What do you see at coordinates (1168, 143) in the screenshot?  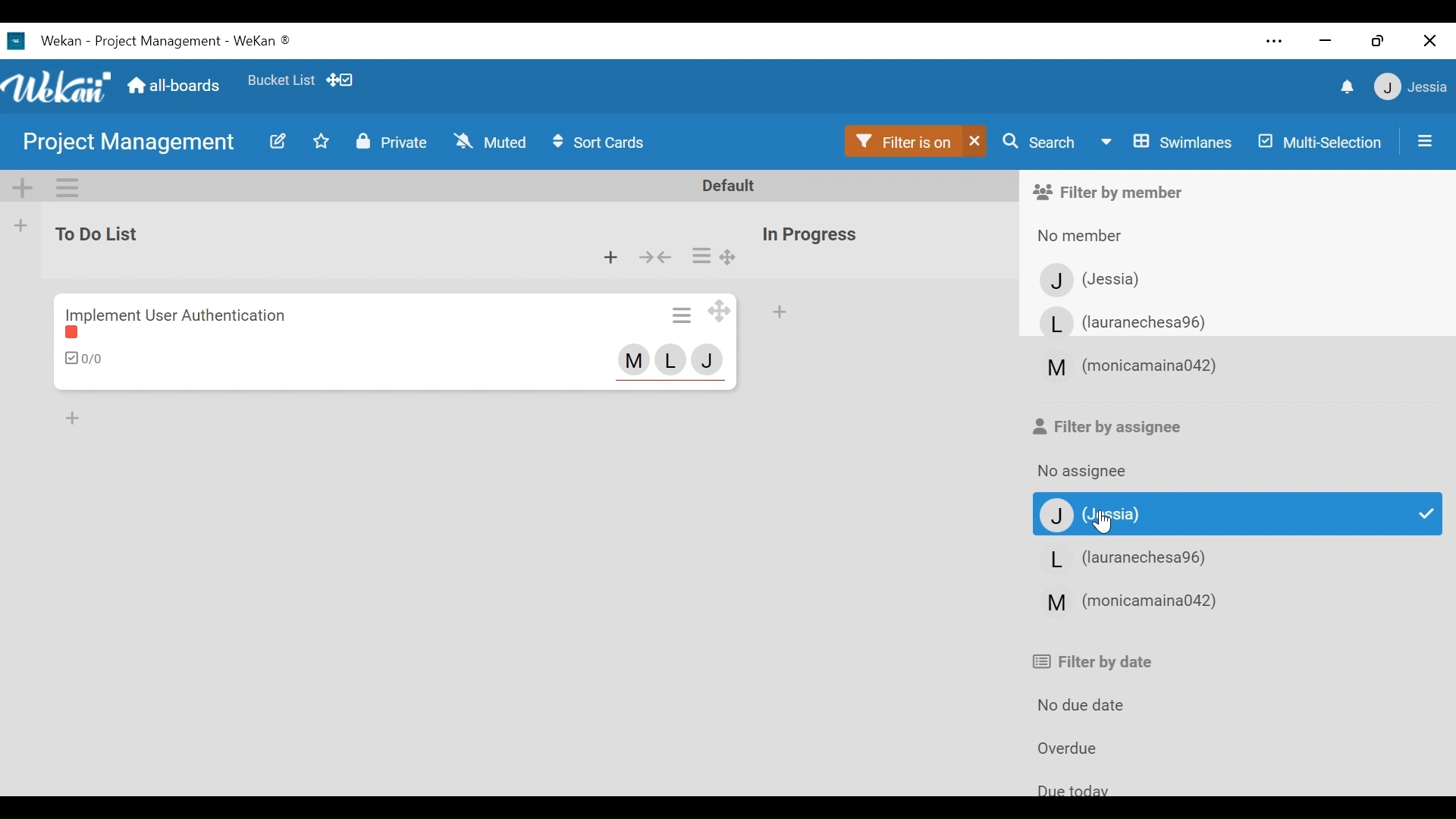 I see `Board View swimlanes` at bounding box center [1168, 143].